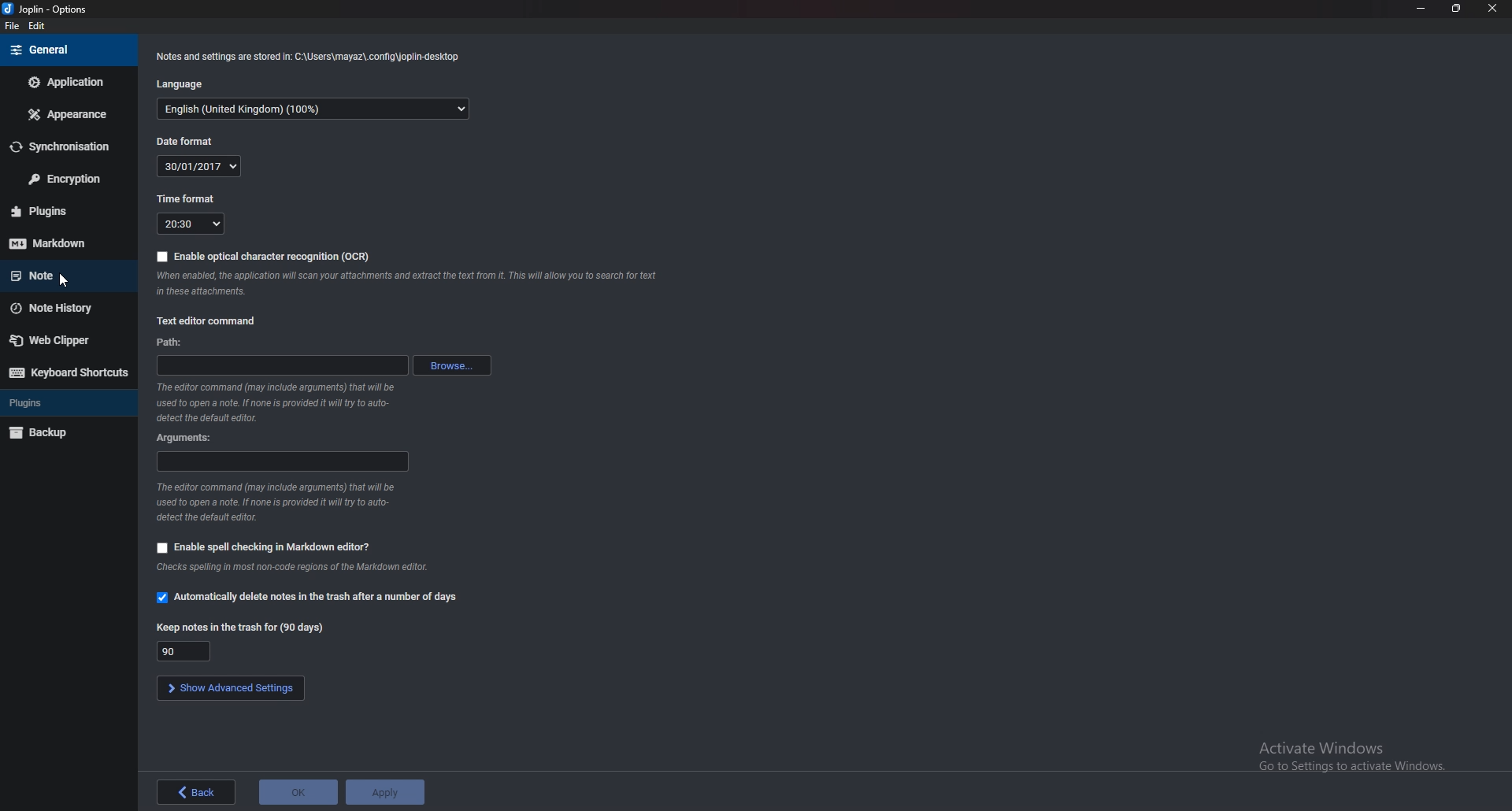 The width and height of the screenshot is (1512, 811). Describe the element at coordinates (65, 431) in the screenshot. I see `Back up` at that location.